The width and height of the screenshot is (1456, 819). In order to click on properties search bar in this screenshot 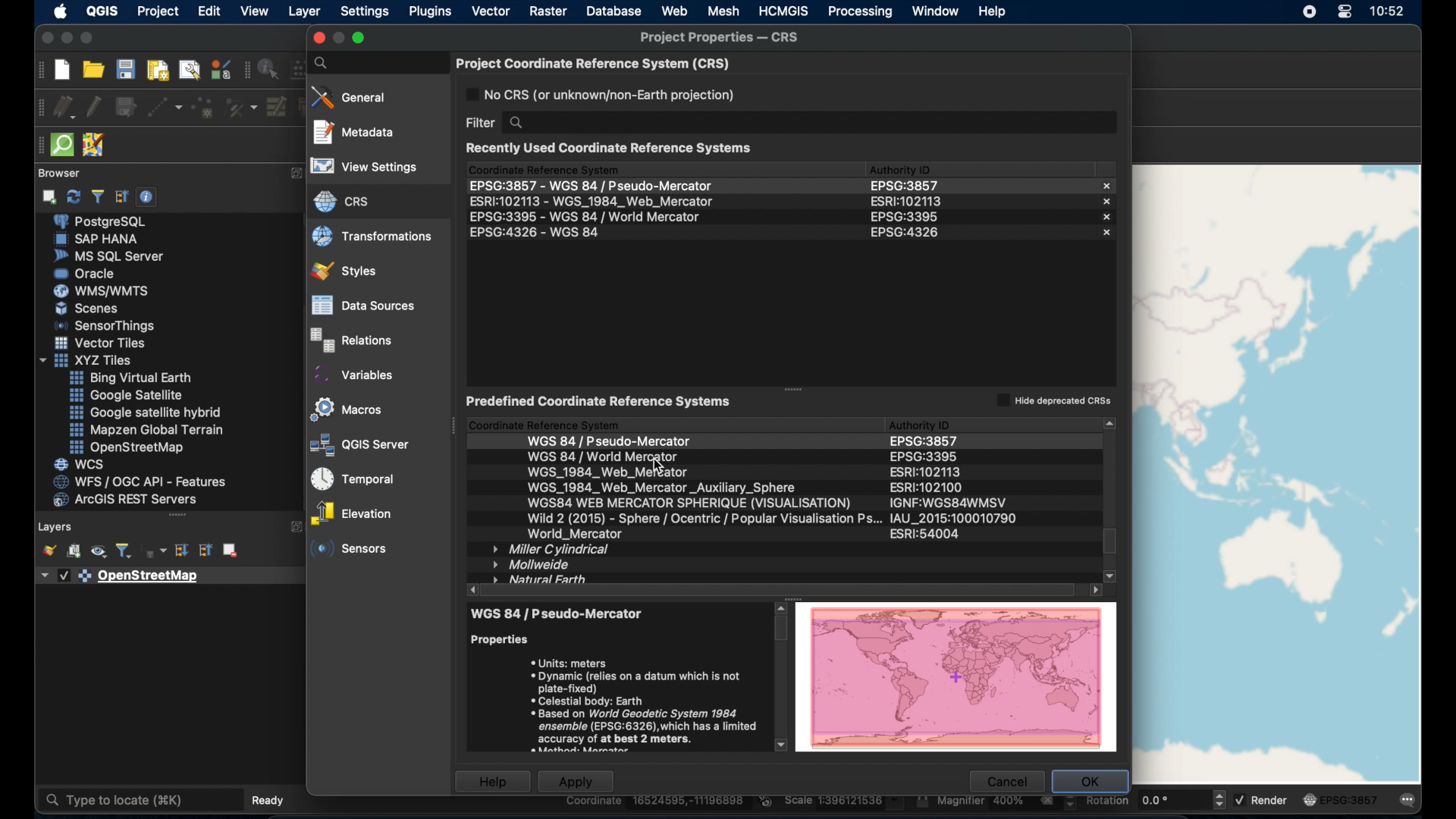, I will do `click(372, 63)`.